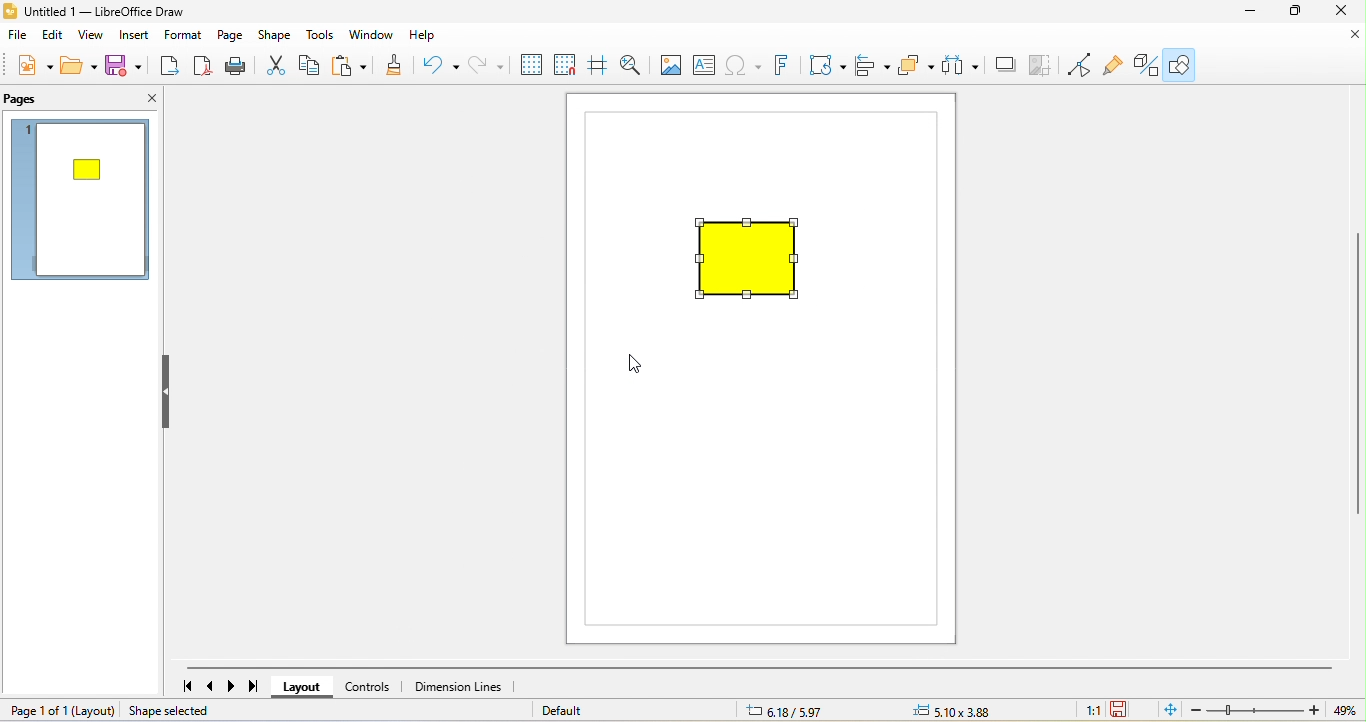  What do you see at coordinates (138, 35) in the screenshot?
I see `insert` at bounding box center [138, 35].